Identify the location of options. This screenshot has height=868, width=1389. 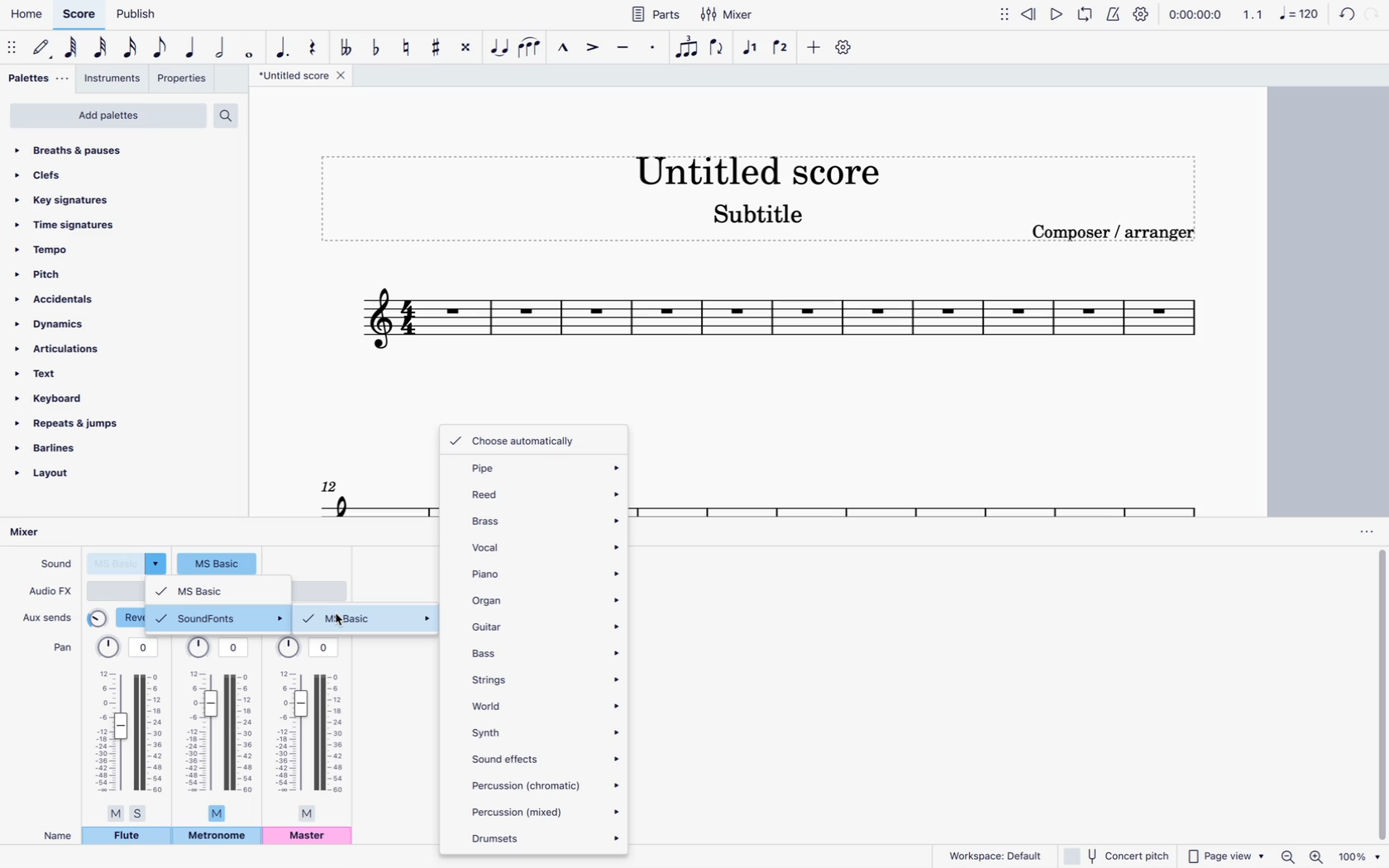
(1365, 532).